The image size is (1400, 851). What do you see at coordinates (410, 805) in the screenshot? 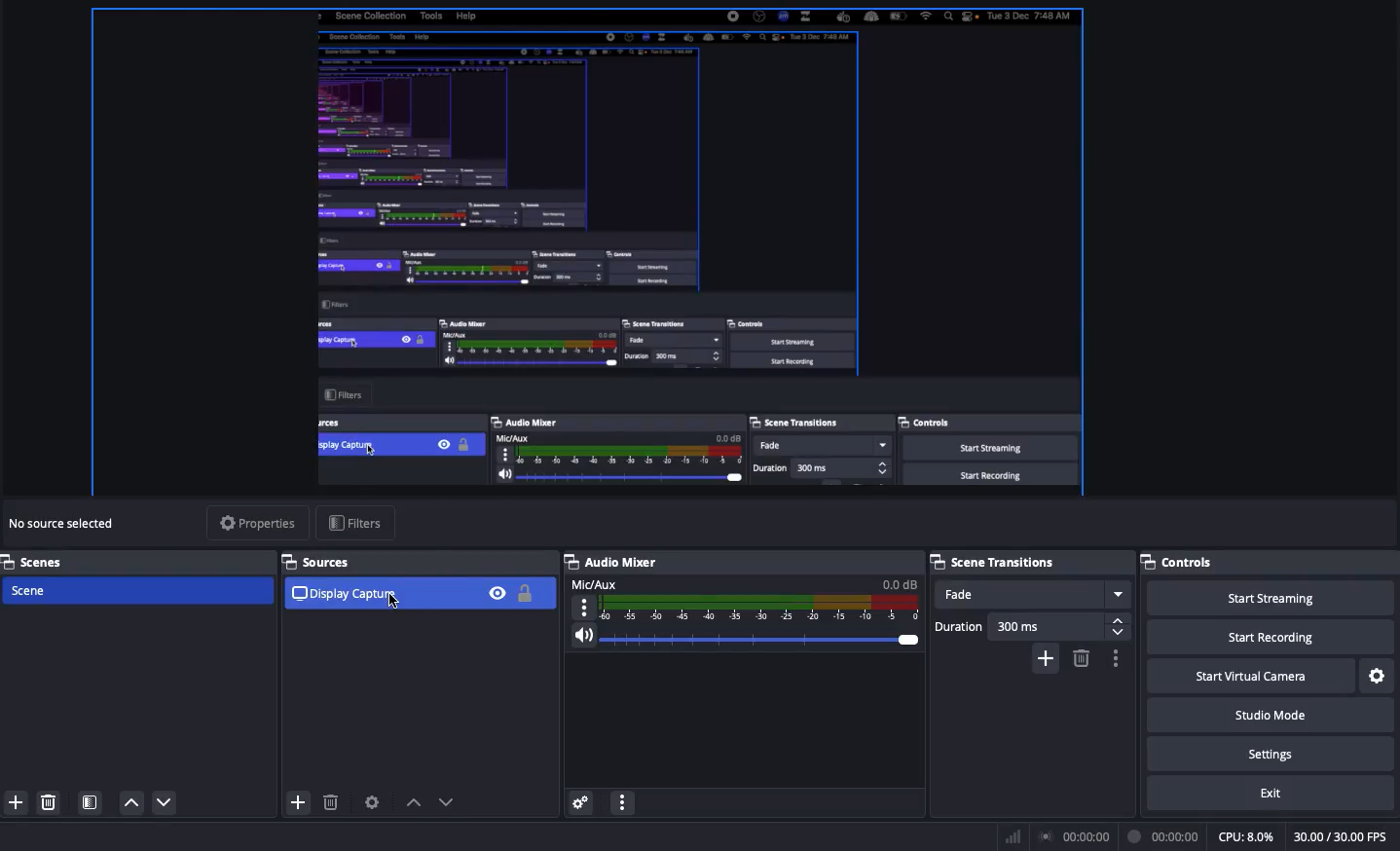
I see `move up` at bounding box center [410, 805].